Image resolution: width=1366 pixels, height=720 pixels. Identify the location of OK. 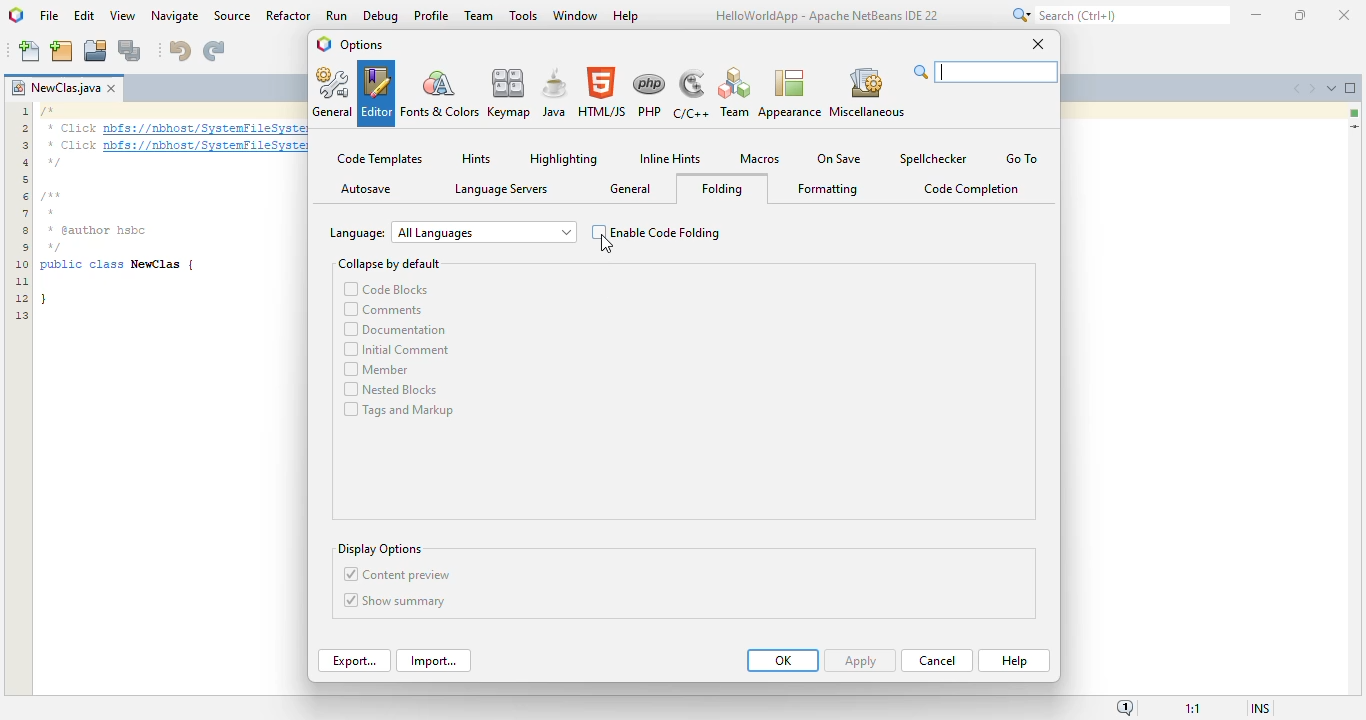
(783, 660).